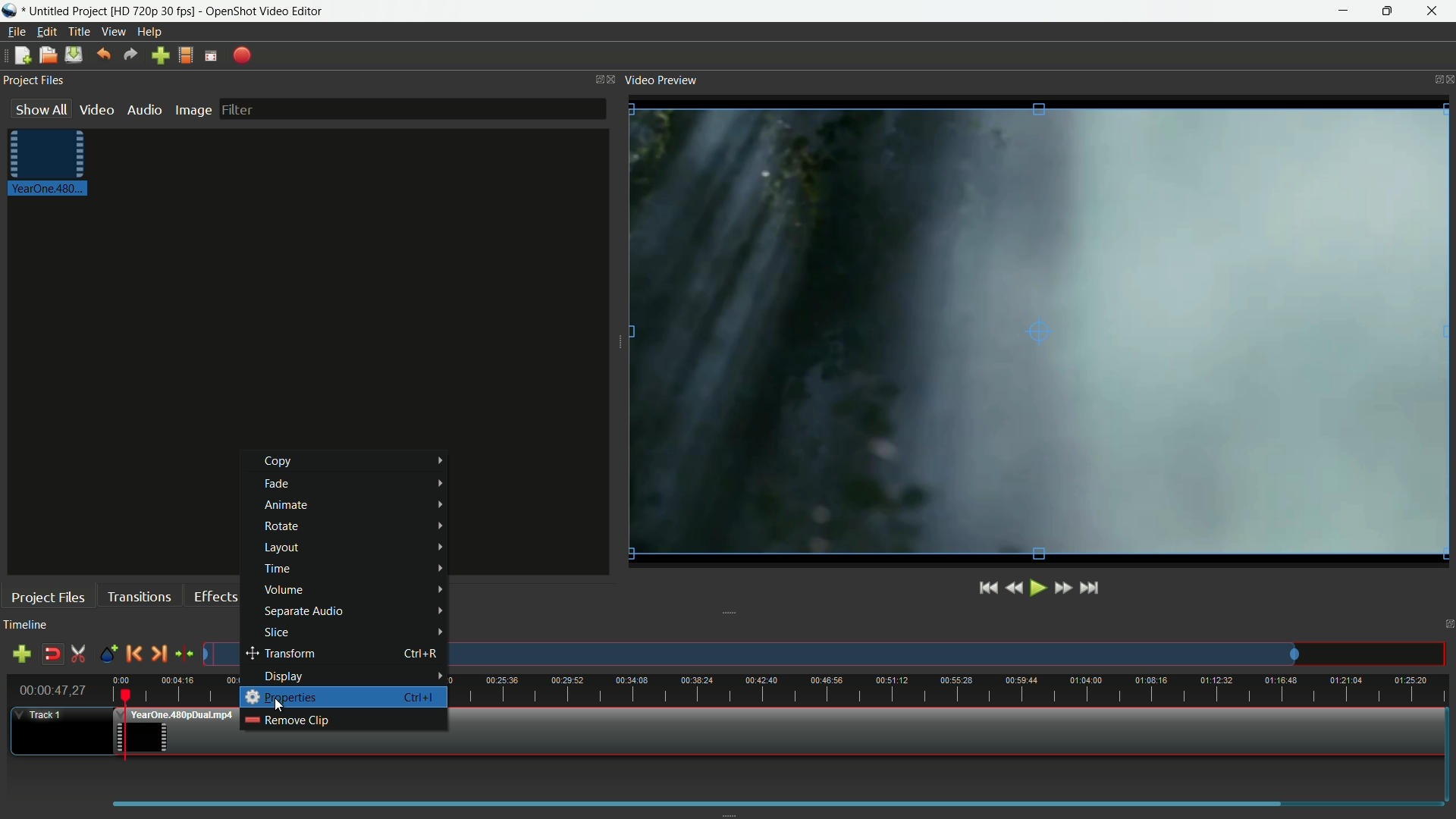  I want to click on copy, so click(351, 461).